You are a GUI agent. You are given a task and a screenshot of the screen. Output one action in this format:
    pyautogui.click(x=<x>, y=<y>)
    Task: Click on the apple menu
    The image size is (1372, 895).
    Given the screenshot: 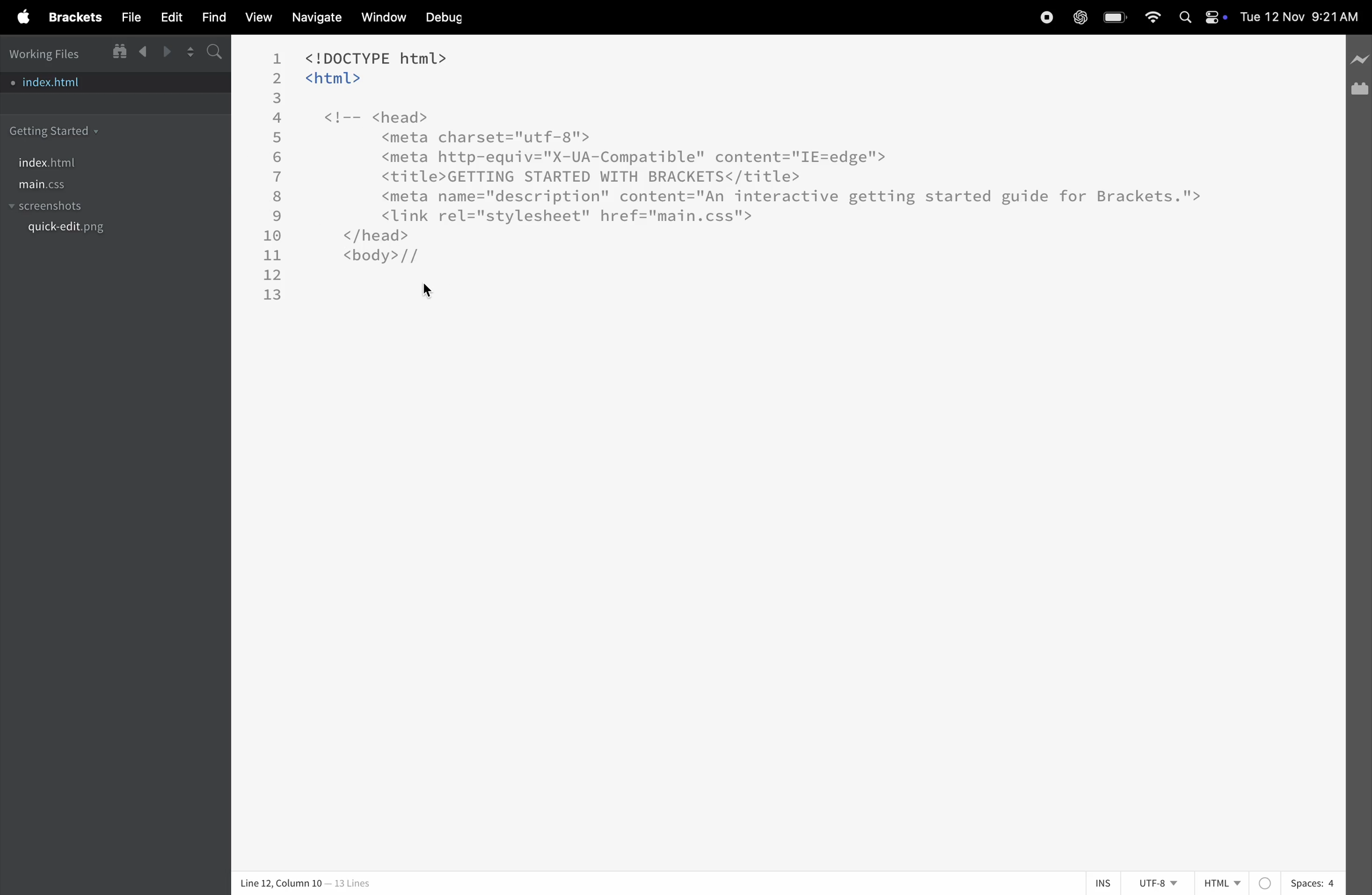 What is the action you would take?
    pyautogui.click(x=20, y=17)
    